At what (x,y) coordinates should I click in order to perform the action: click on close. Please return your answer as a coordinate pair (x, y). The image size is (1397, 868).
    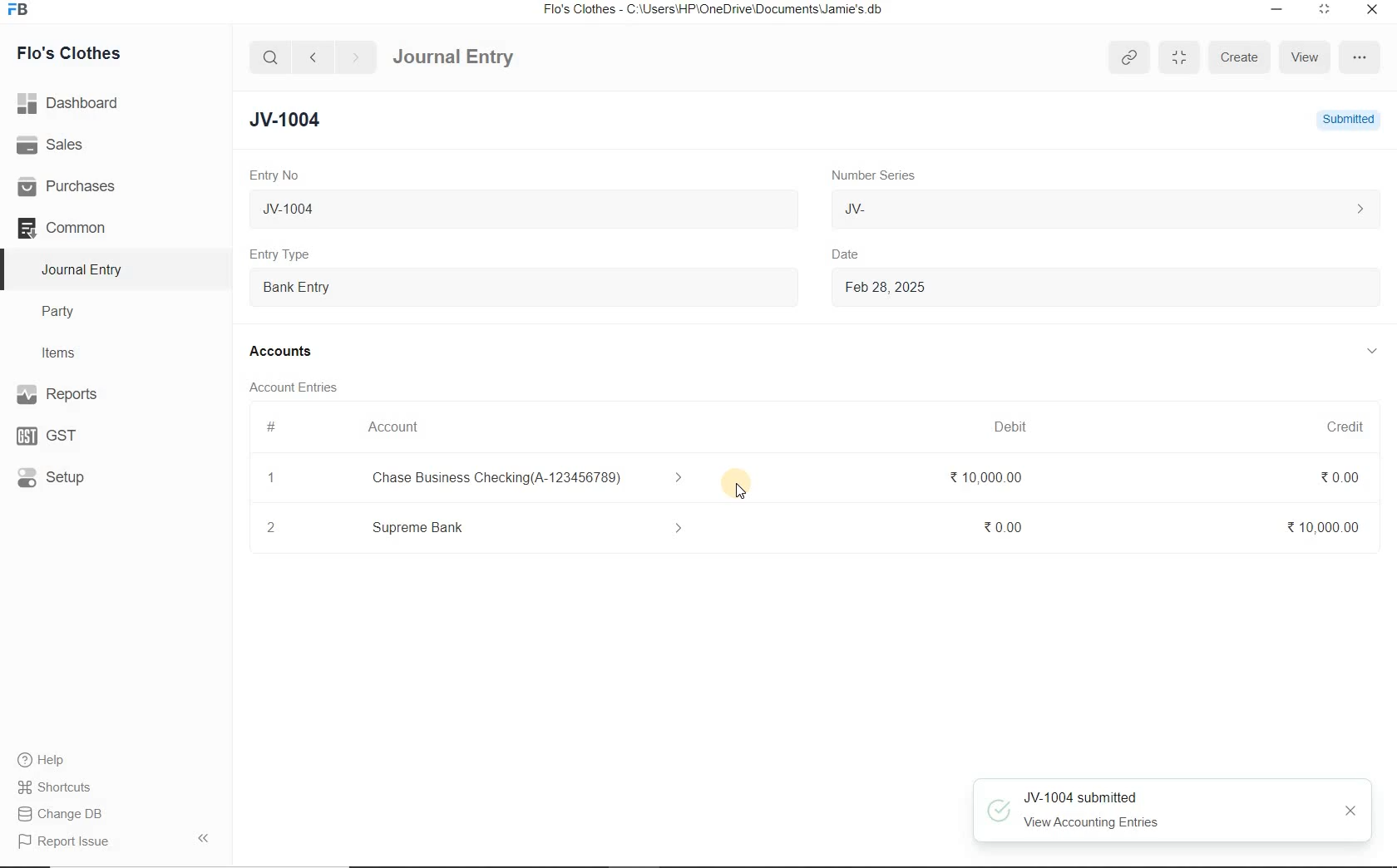
    Looking at the image, I should click on (1371, 8).